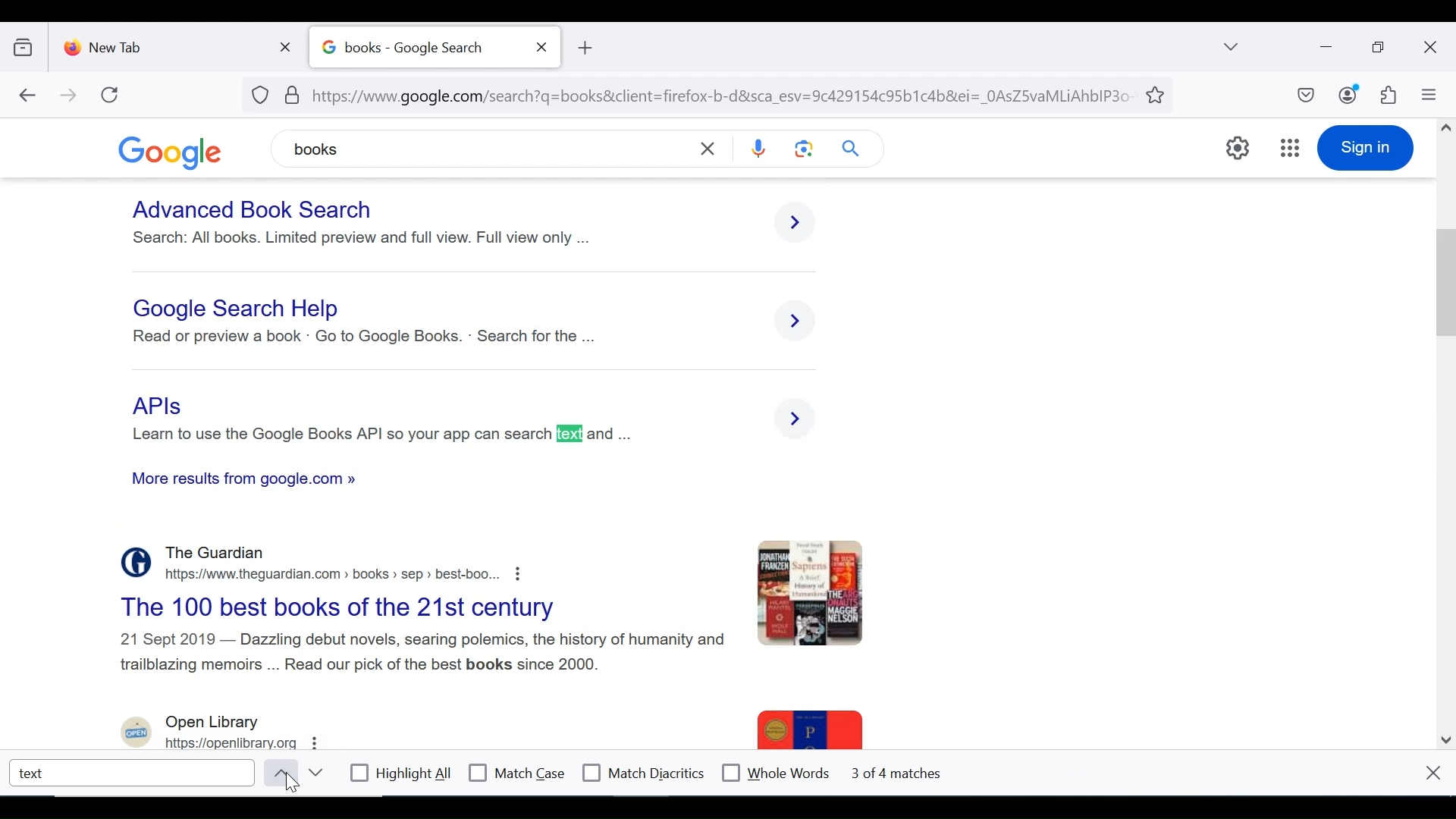  I want to click on google apps, so click(1289, 148).